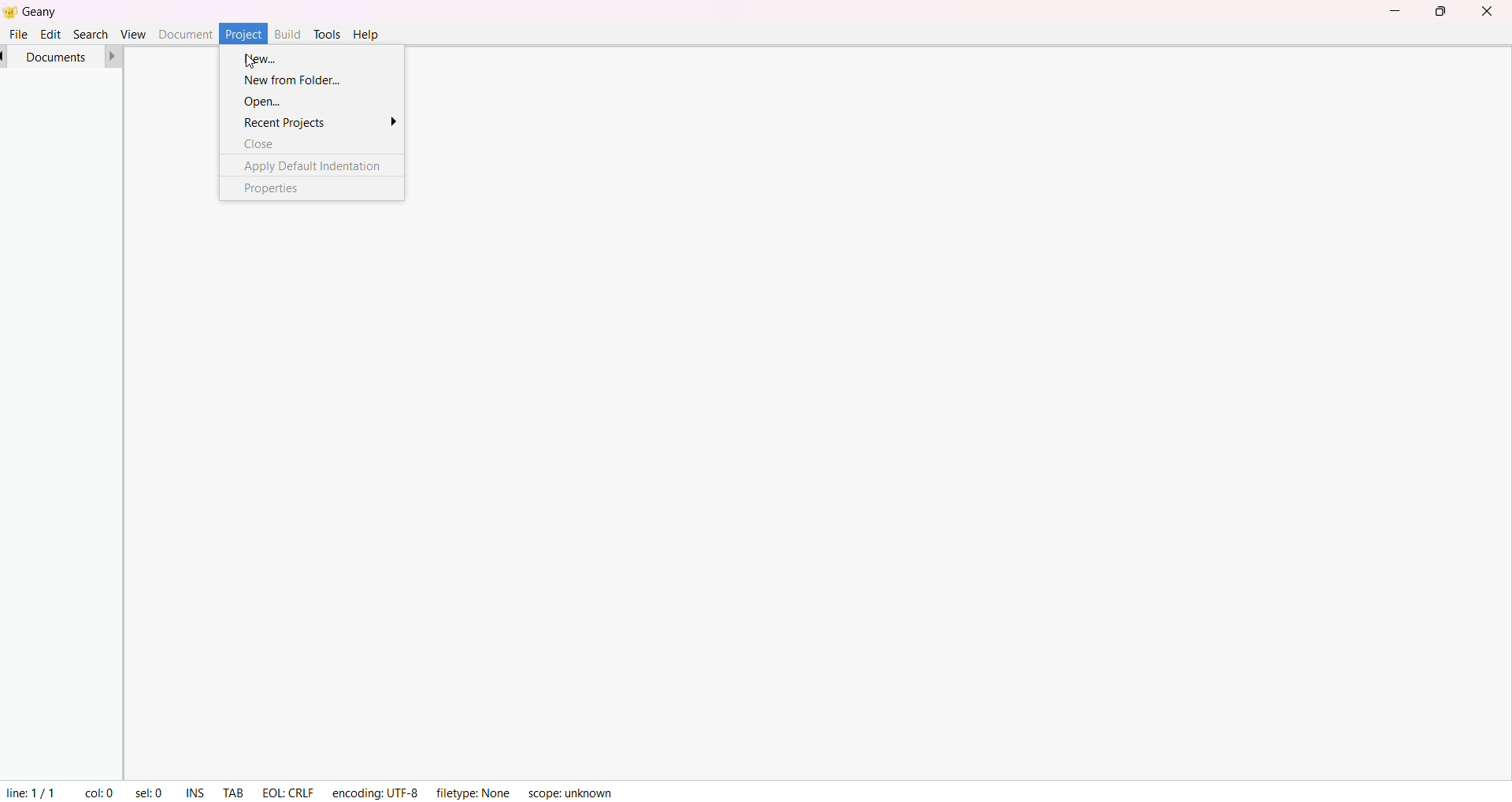 The height and width of the screenshot is (802, 1512). Describe the element at coordinates (367, 35) in the screenshot. I see `help` at that location.